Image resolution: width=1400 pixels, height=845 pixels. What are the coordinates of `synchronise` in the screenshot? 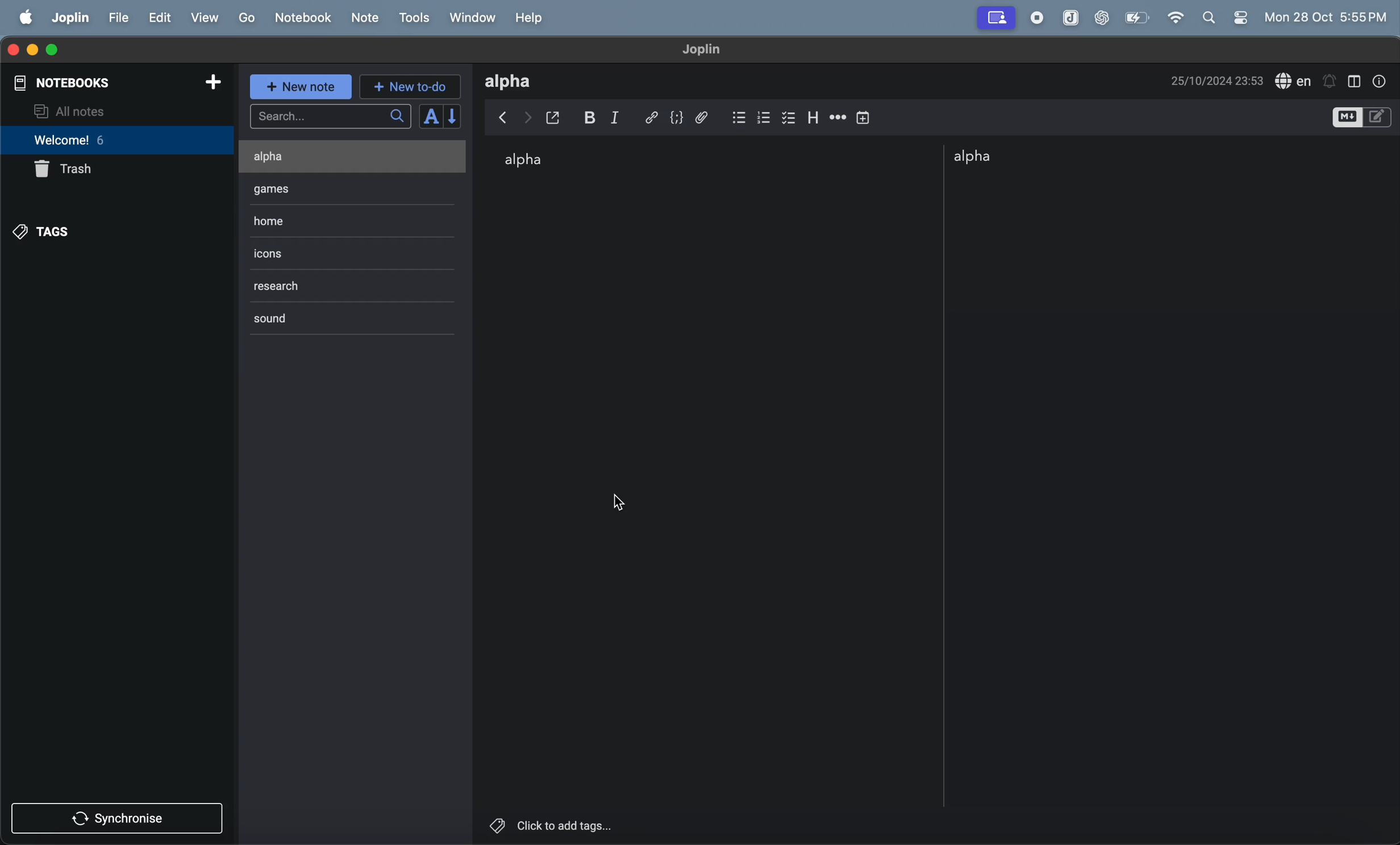 It's located at (121, 821).